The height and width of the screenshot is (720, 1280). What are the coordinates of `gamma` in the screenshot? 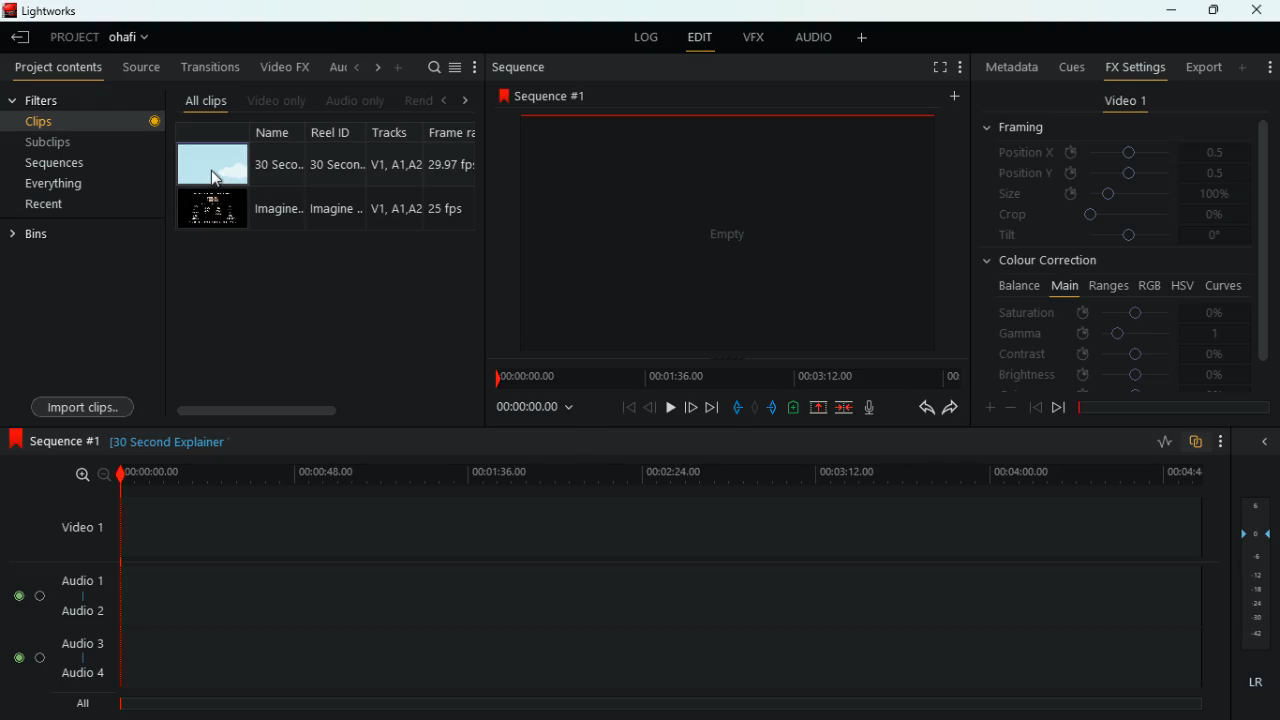 It's located at (1118, 332).